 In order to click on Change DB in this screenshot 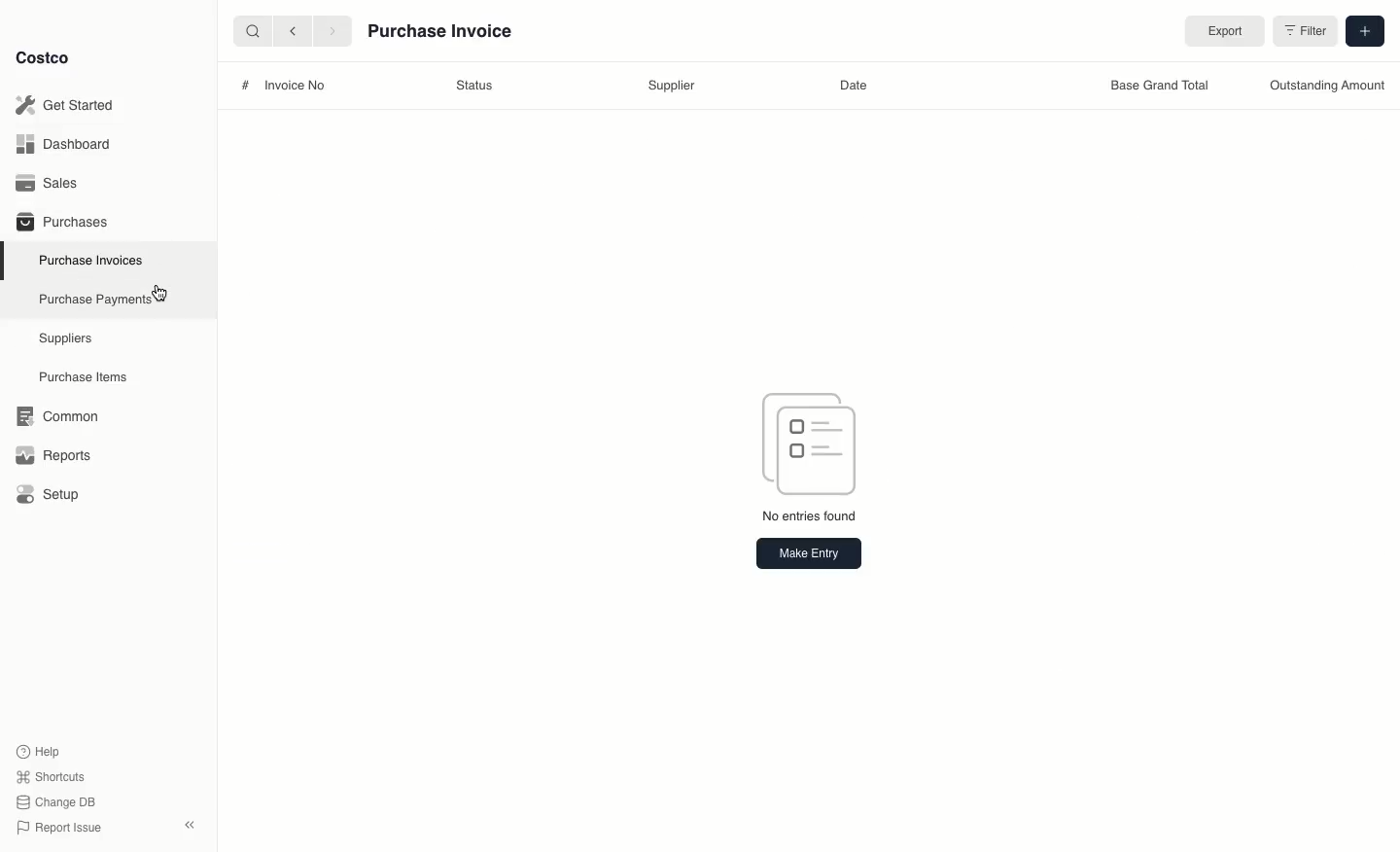, I will do `click(59, 802)`.